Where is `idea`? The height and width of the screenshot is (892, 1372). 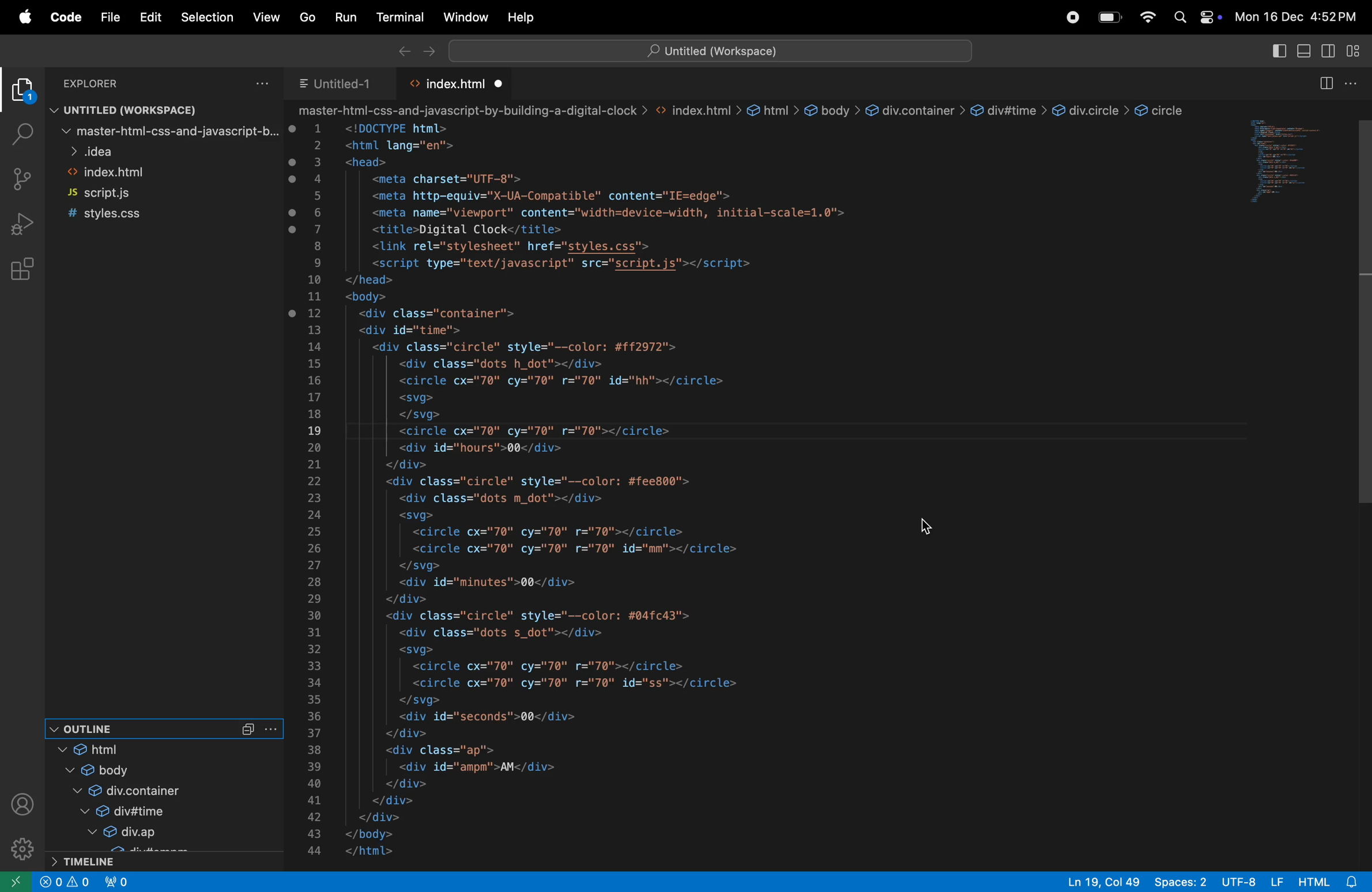
idea is located at coordinates (166, 151).